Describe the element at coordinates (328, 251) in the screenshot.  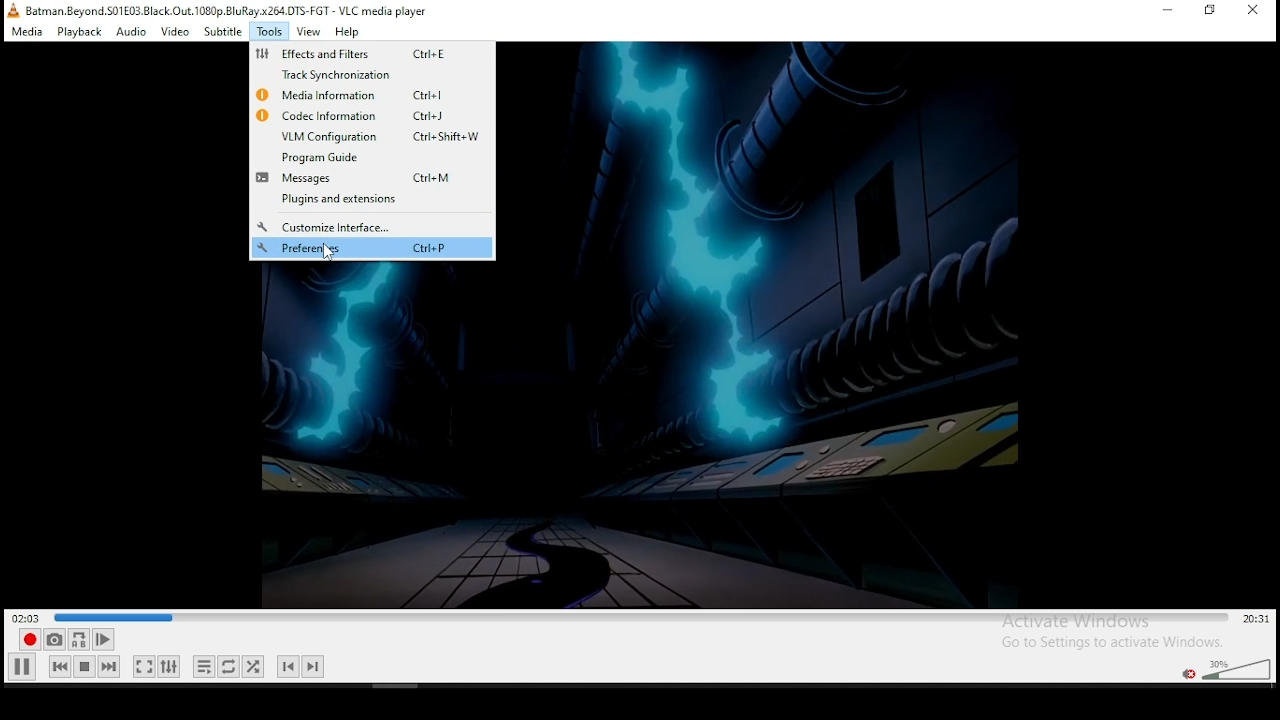
I see `Cursor` at that location.